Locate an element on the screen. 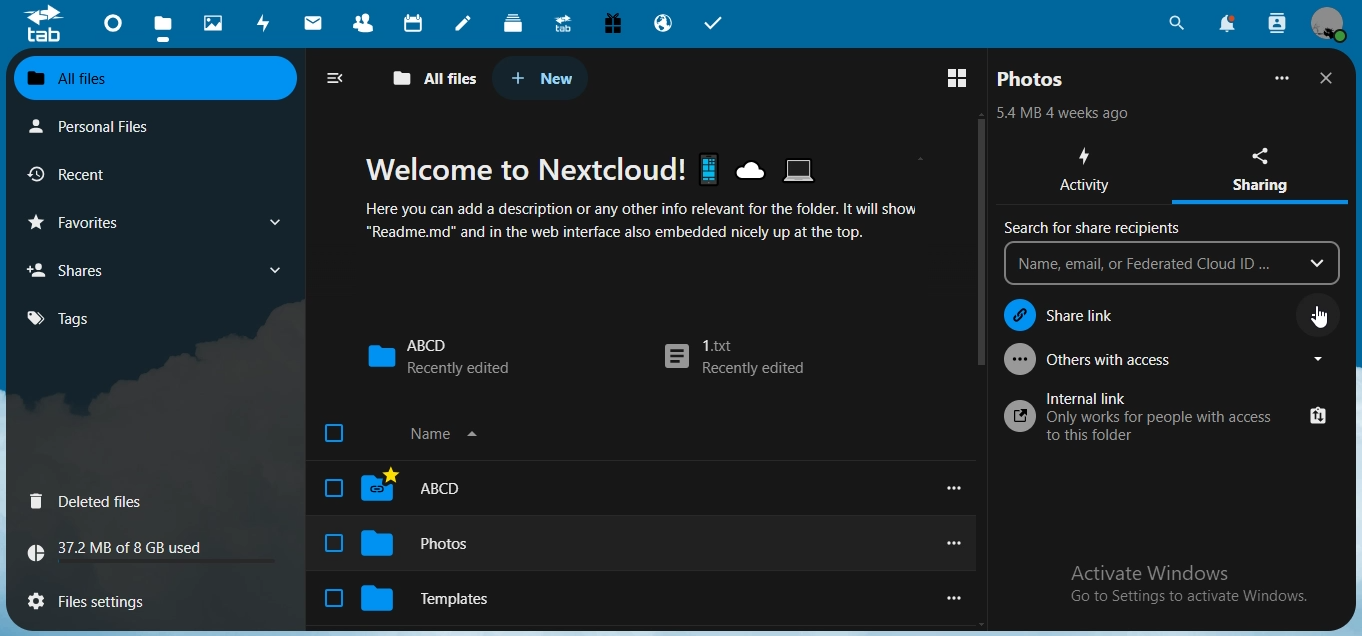  shares is located at coordinates (152, 269).